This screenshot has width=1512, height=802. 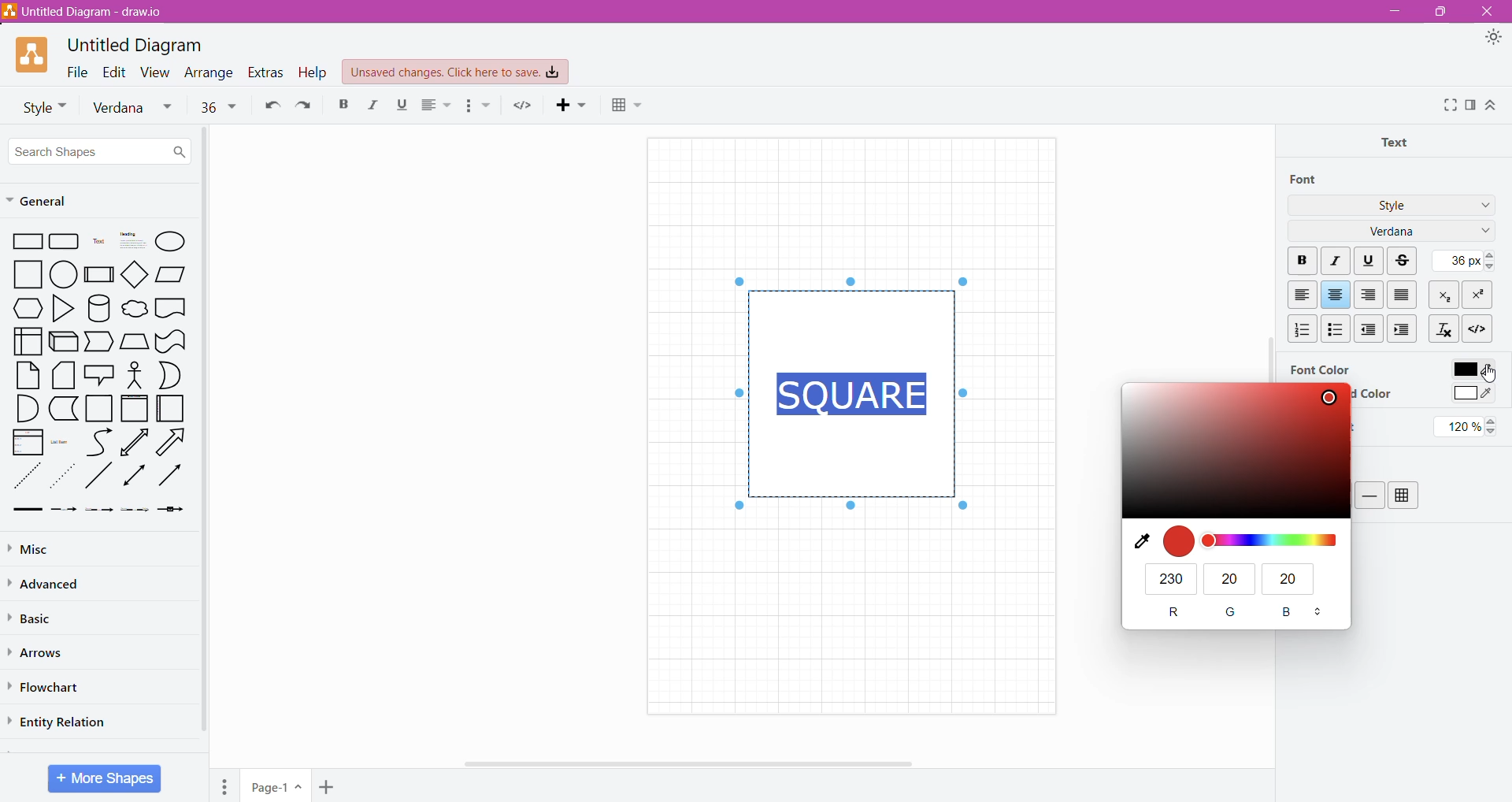 What do you see at coordinates (24, 240) in the screenshot?
I see `Rectangle` at bounding box center [24, 240].